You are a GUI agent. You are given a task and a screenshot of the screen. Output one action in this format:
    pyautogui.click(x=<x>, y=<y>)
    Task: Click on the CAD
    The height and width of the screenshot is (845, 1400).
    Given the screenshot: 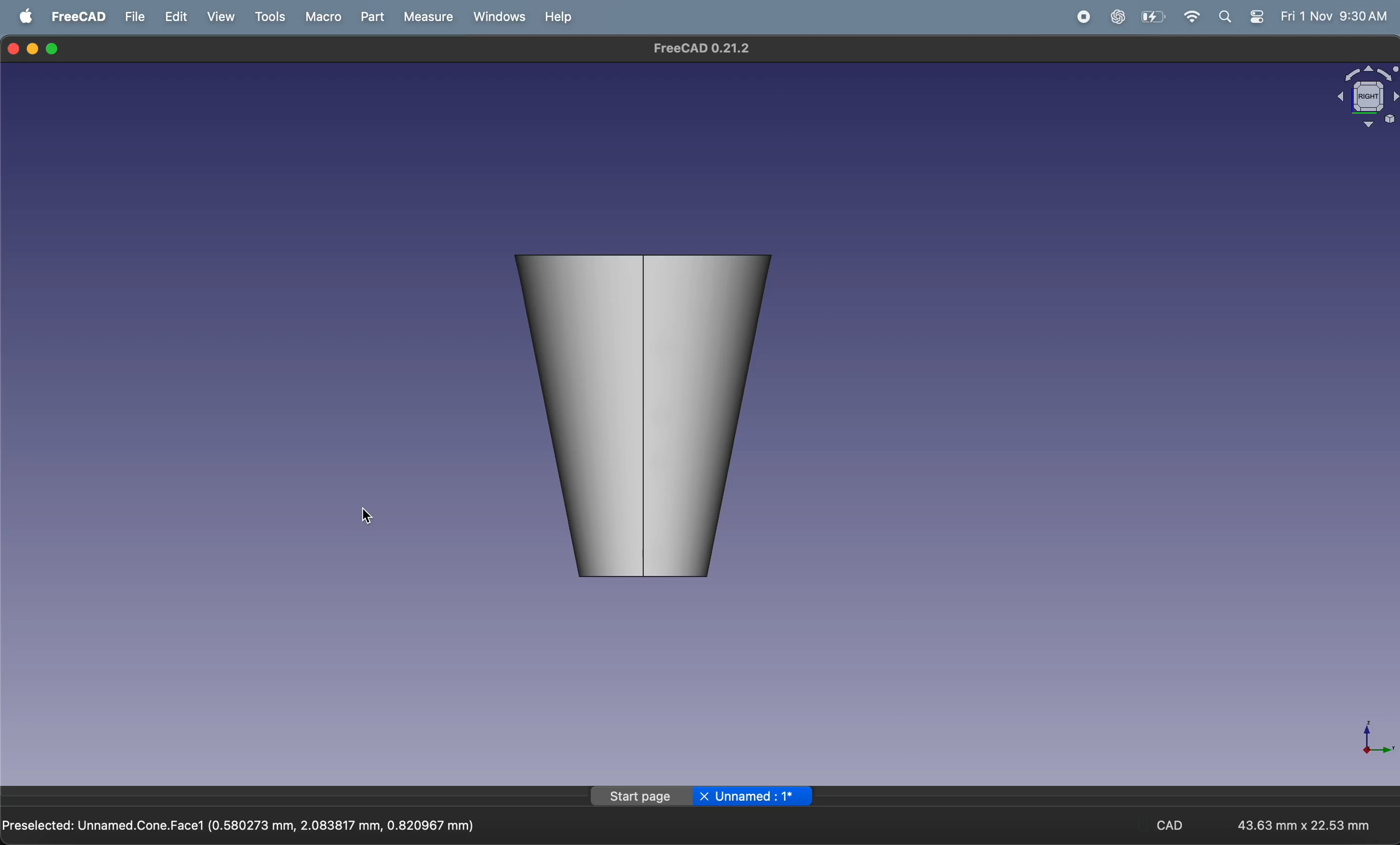 What is the action you would take?
    pyautogui.click(x=1179, y=824)
    